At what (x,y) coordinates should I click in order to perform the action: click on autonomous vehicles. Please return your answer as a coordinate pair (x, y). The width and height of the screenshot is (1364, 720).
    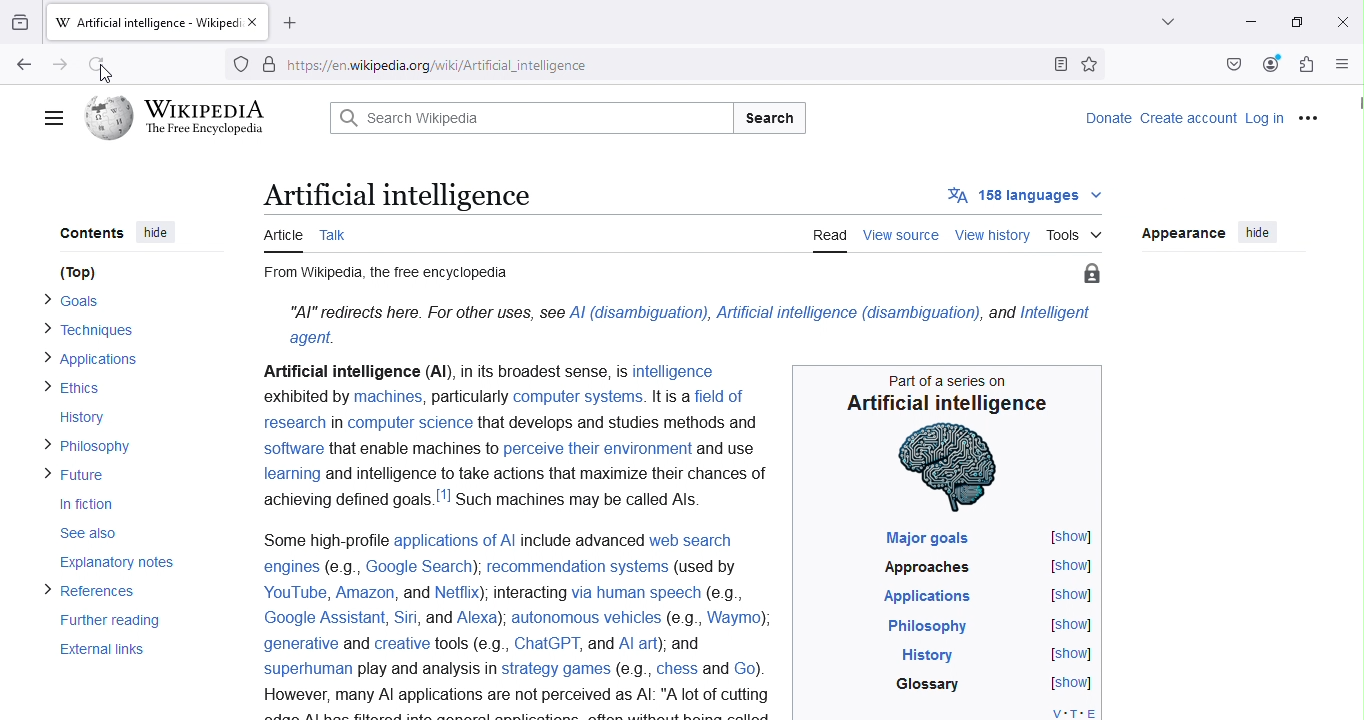
    Looking at the image, I should click on (584, 618).